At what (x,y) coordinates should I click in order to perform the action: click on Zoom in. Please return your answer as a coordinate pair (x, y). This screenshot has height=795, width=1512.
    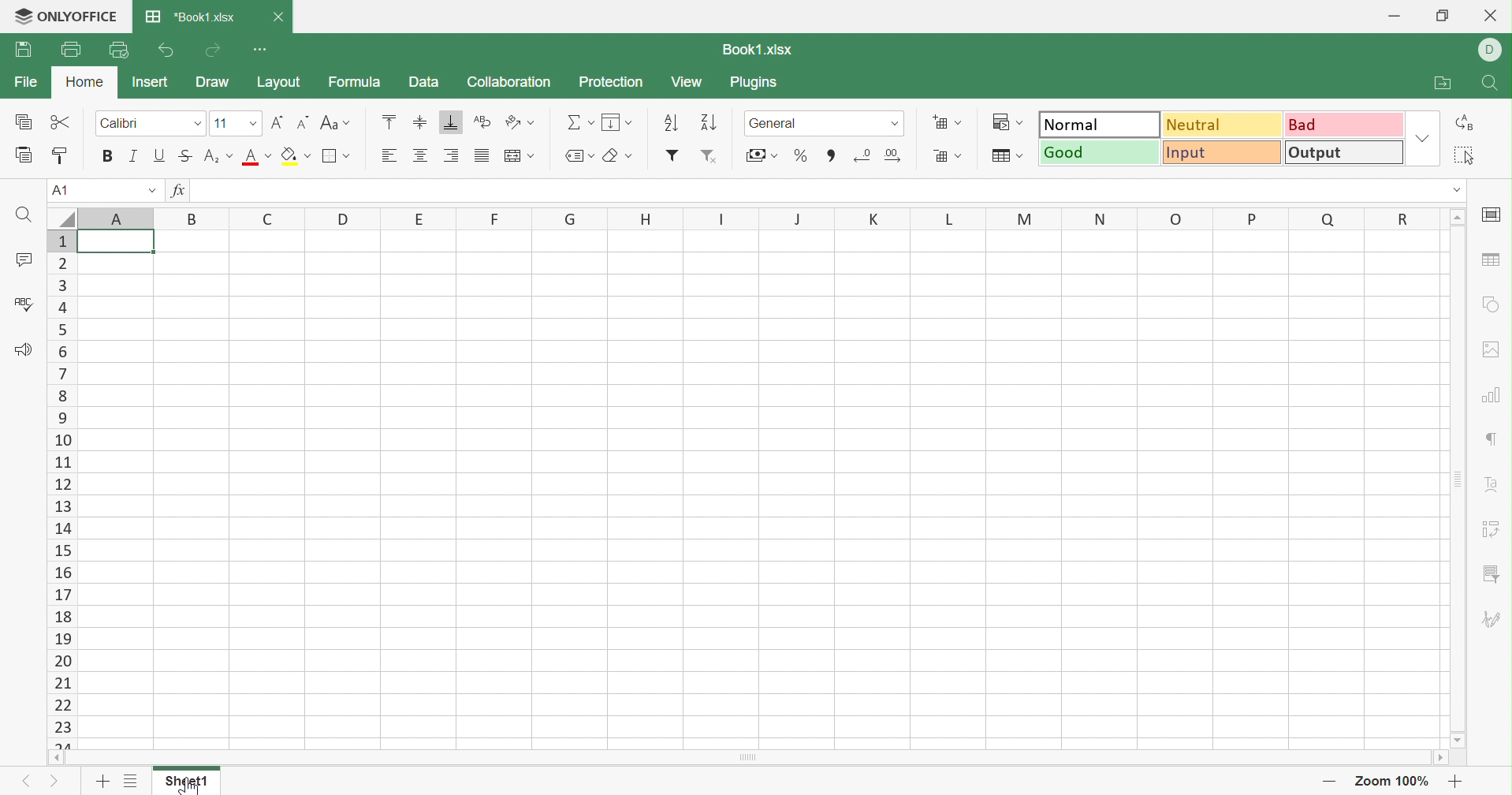
    Looking at the image, I should click on (1458, 780).